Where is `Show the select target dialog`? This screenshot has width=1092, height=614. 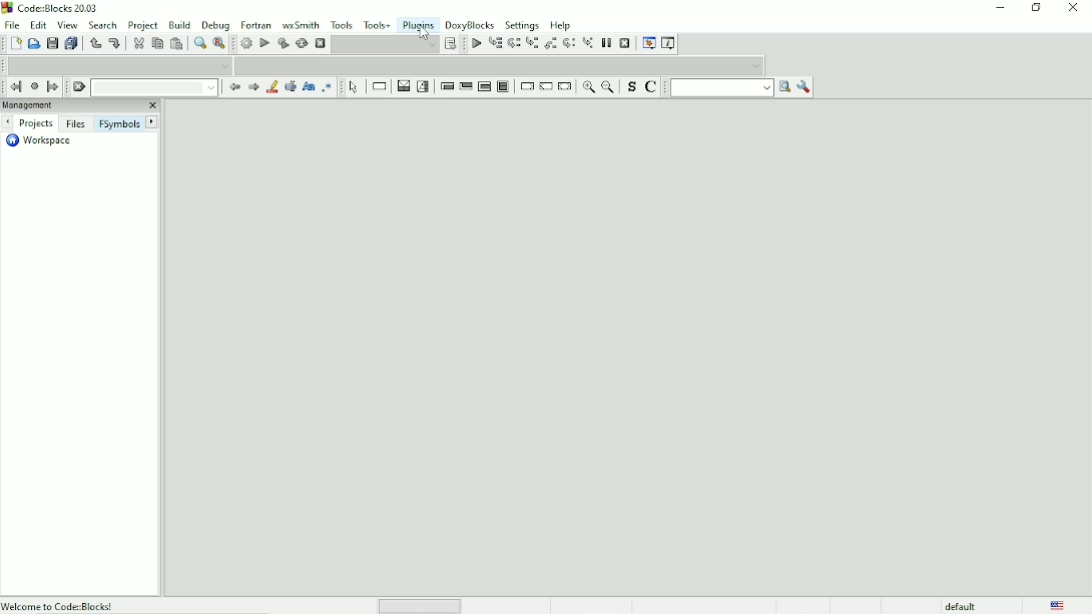 Show the select target dialog is located at coordinates (452, 44).